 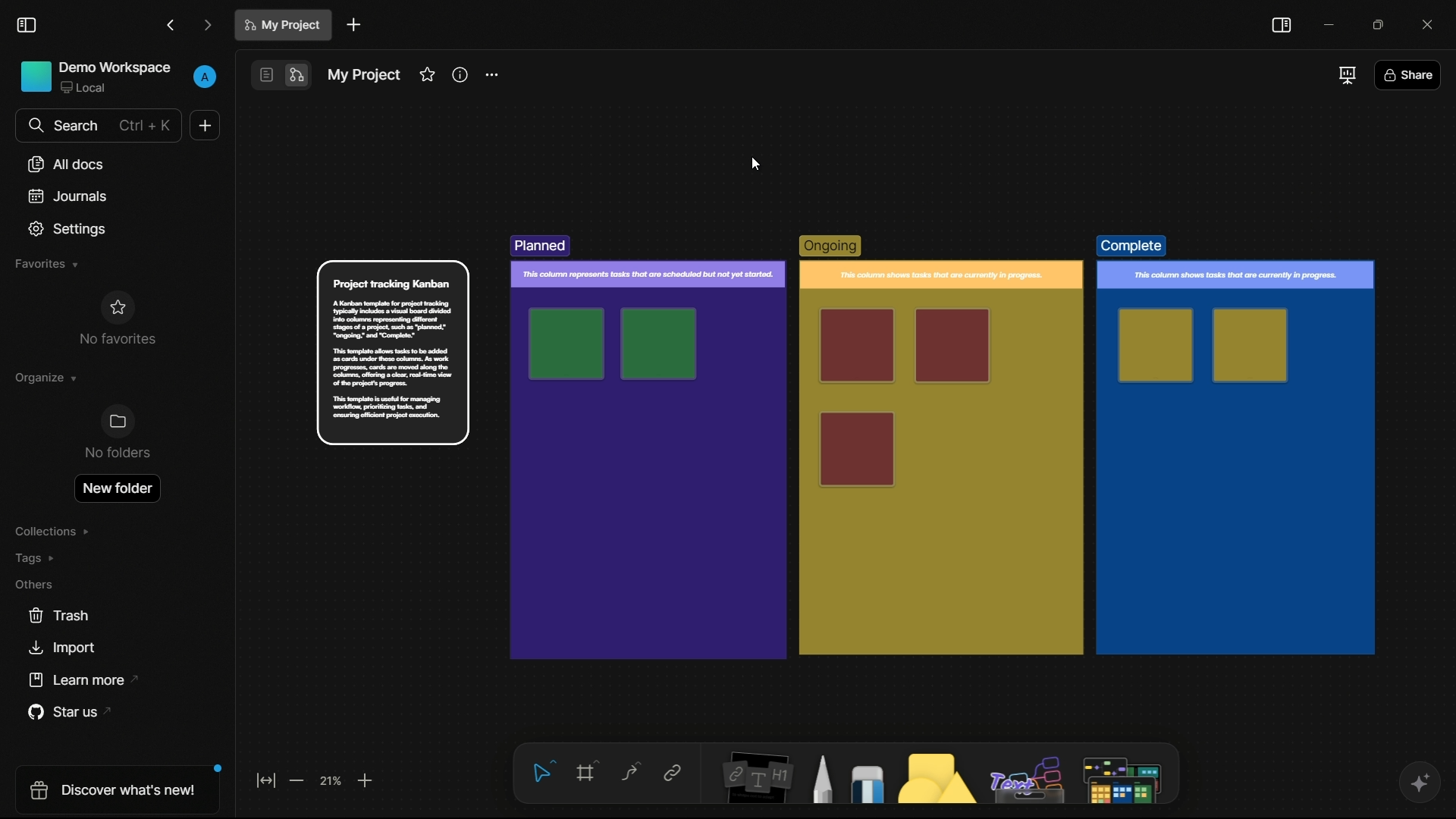 I want to click on learn more, so click(x=86, y=680).